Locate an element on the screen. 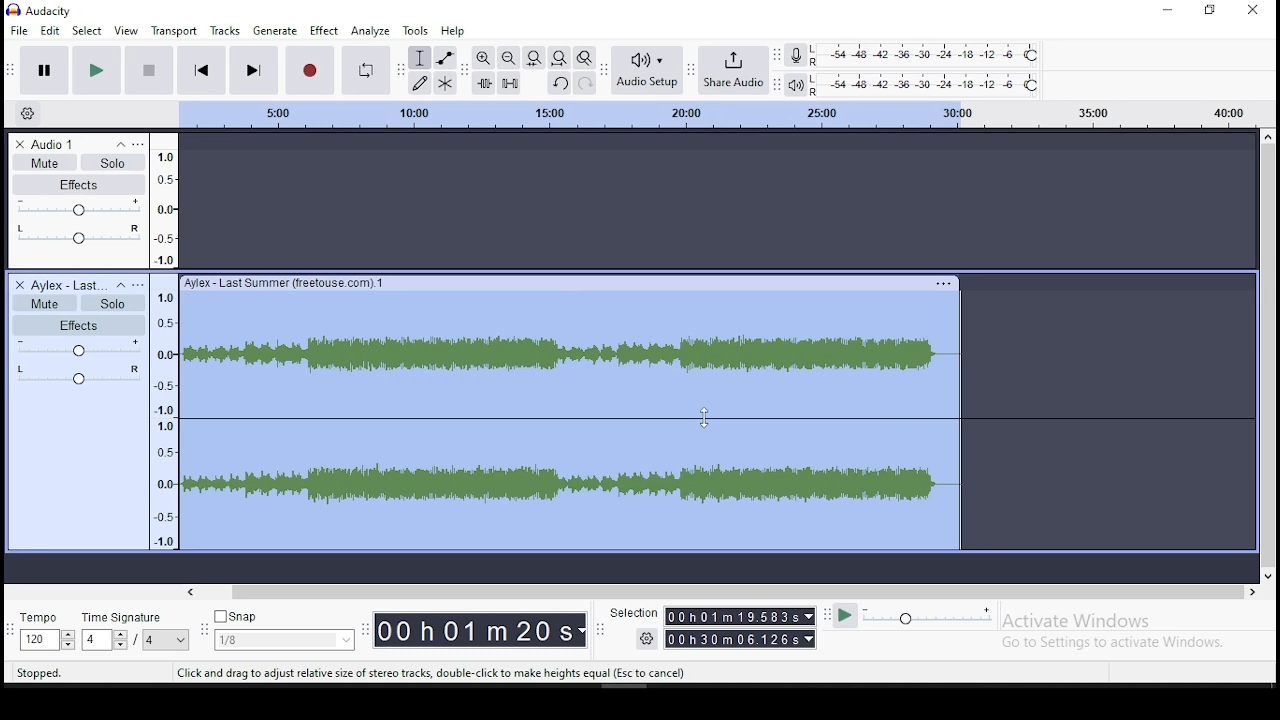 This screenshot has width=1280, height=720. scale is located at coordinates (715, 115).